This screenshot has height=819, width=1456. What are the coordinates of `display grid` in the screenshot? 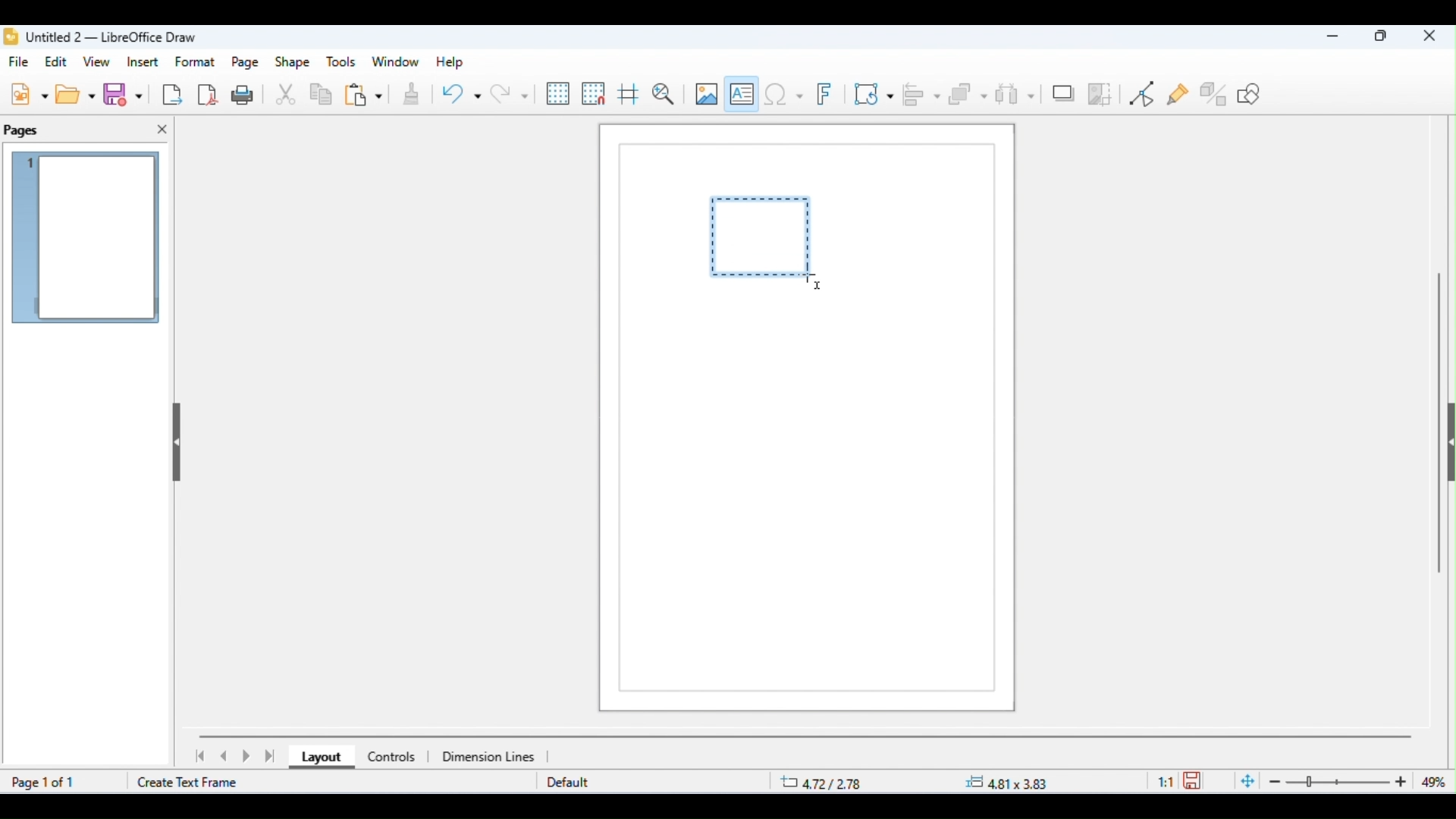 It's located at (559, 94).